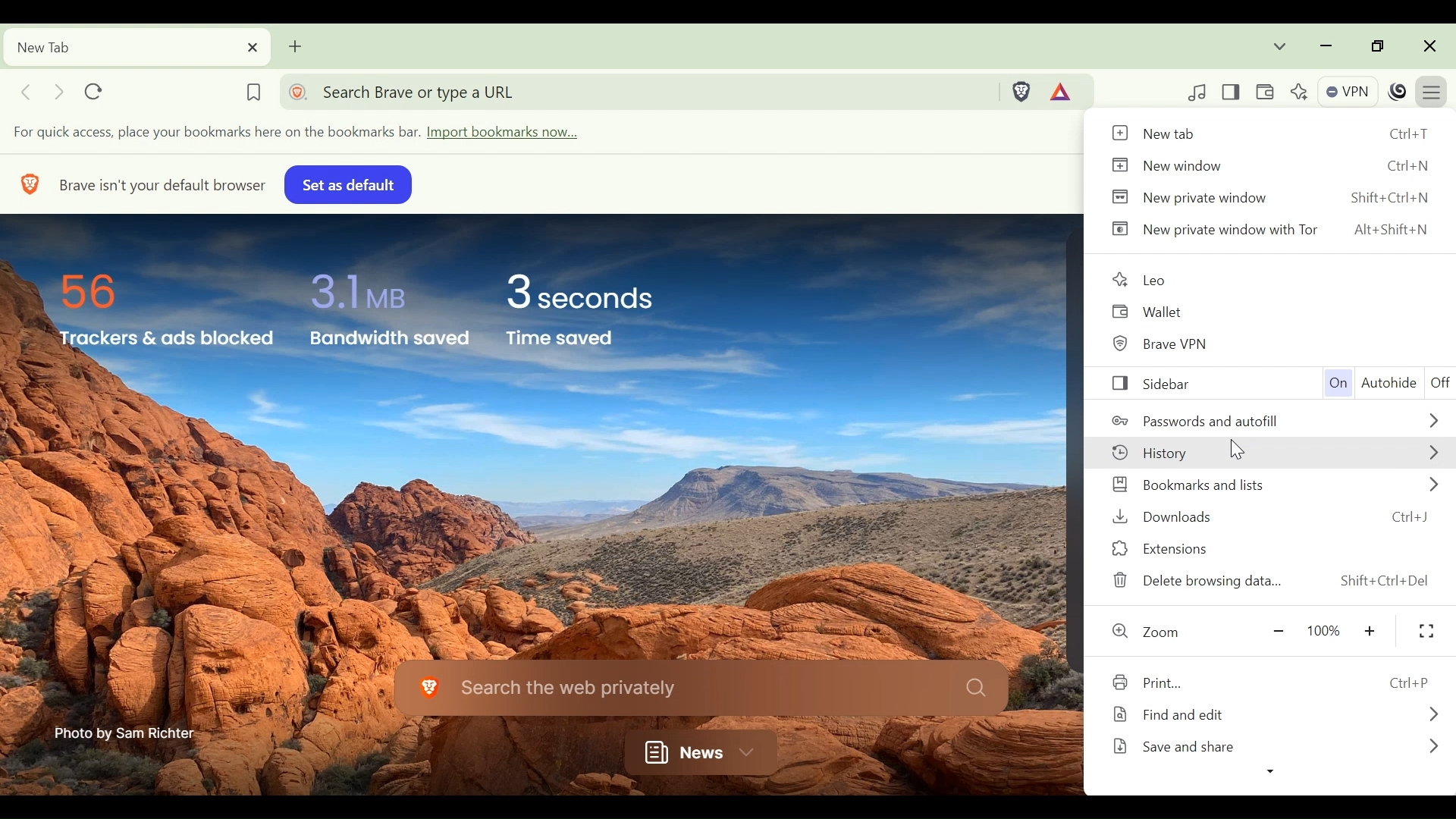  What do you see at coordinates (1276, 515) in the screenshot?
I see `Downloads Ctrl+J` at bounding box center [1276, 515].